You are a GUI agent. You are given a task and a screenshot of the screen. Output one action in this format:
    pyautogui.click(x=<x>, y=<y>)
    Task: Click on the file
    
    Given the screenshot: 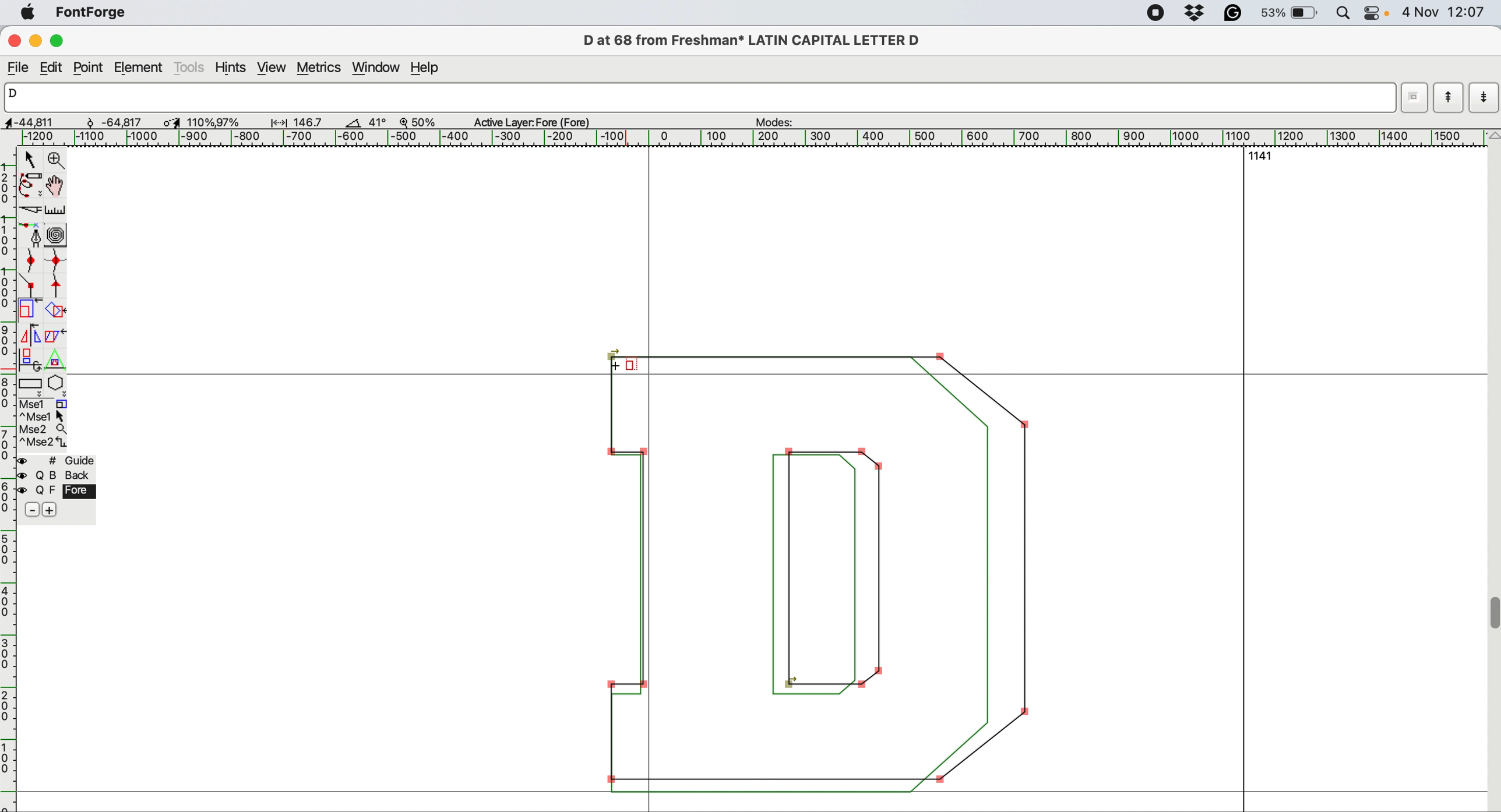 What is the action you would take?
    pyautogui.click(x=19, y=68)
    